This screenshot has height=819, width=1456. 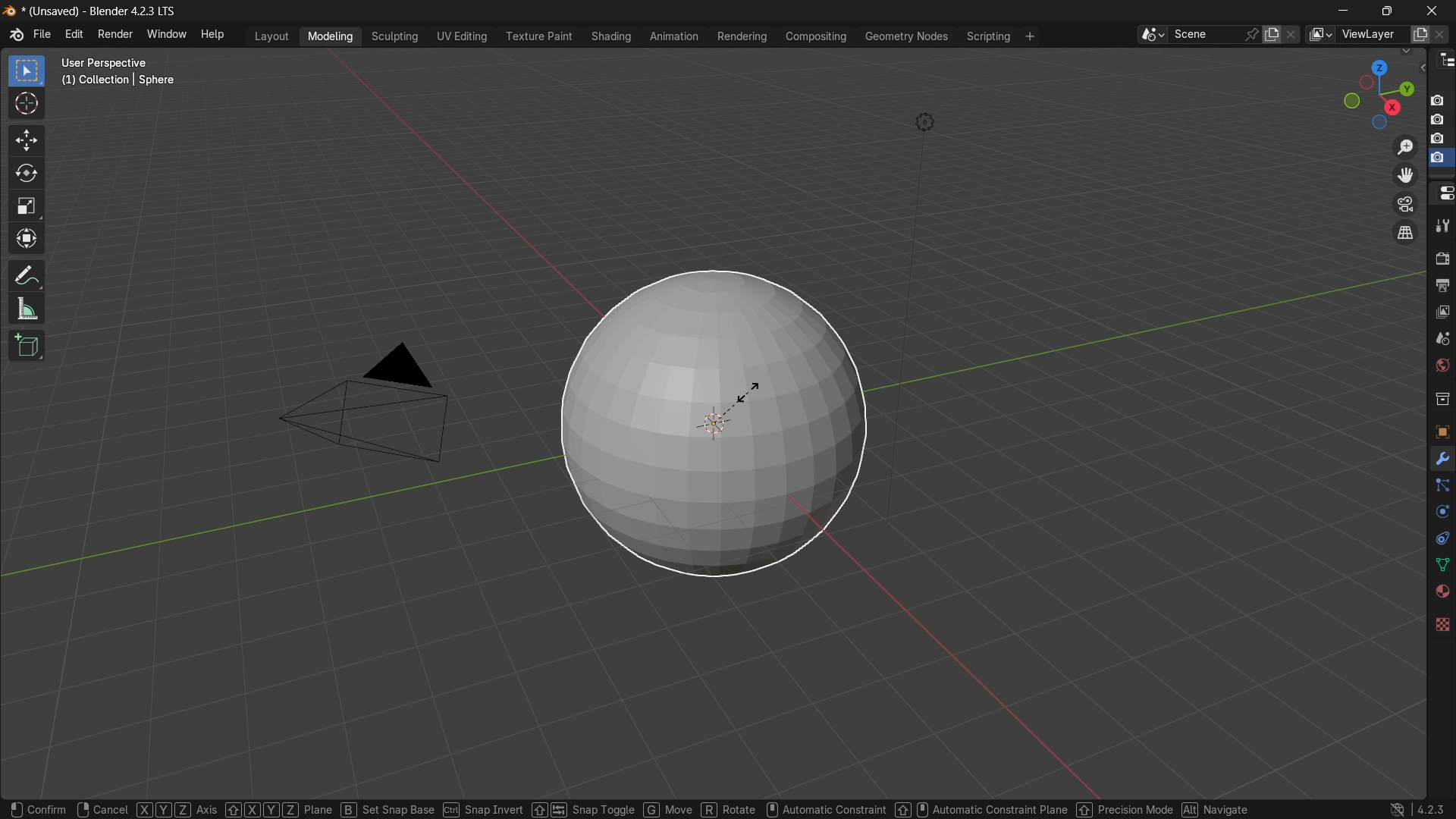 What do you see at coordinates (1441, 538) in the screenshot?
I see `constraint` at bounding box center [1441, 538].